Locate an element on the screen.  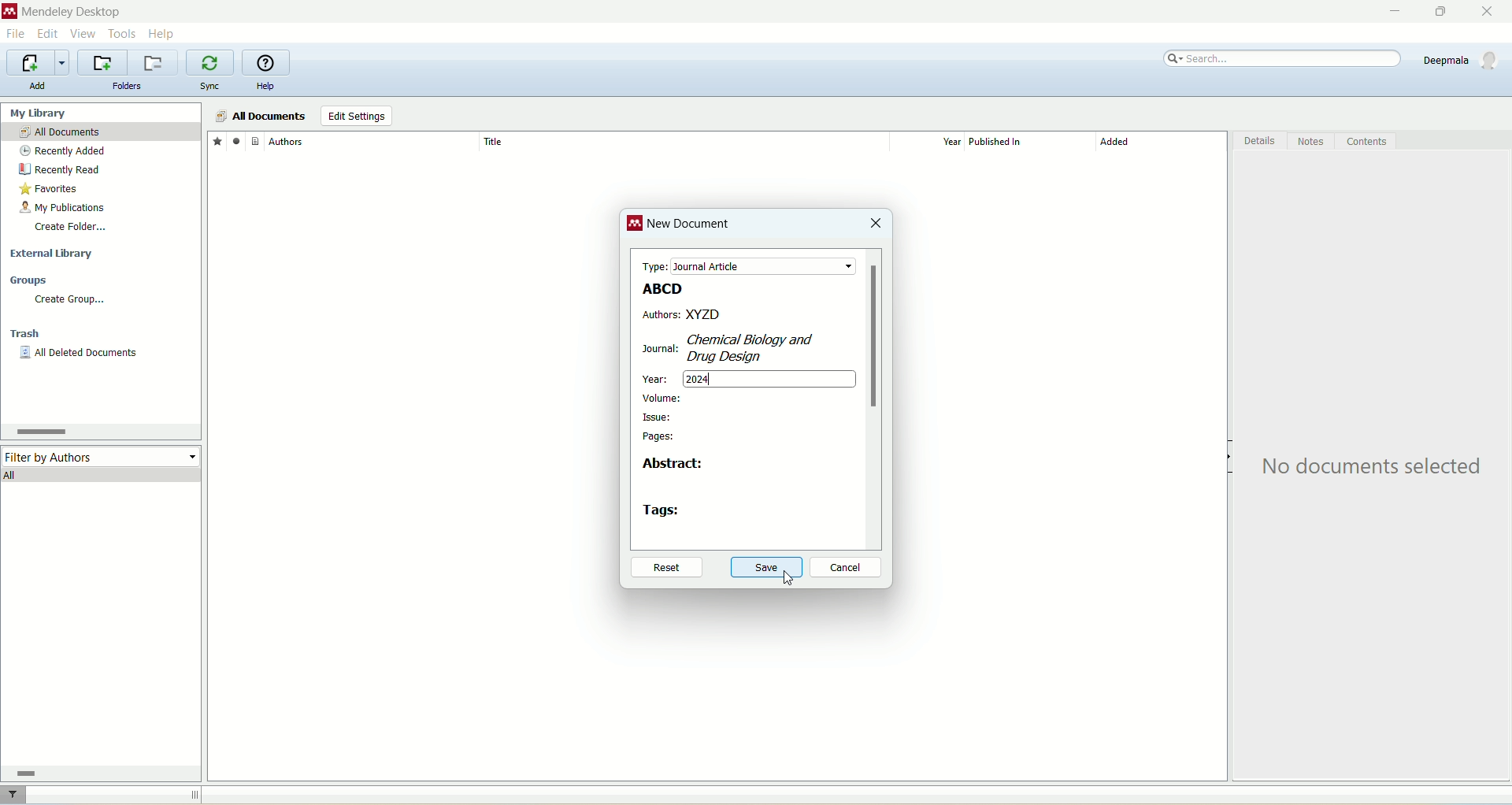
CH is located at coordinates (763, 339).